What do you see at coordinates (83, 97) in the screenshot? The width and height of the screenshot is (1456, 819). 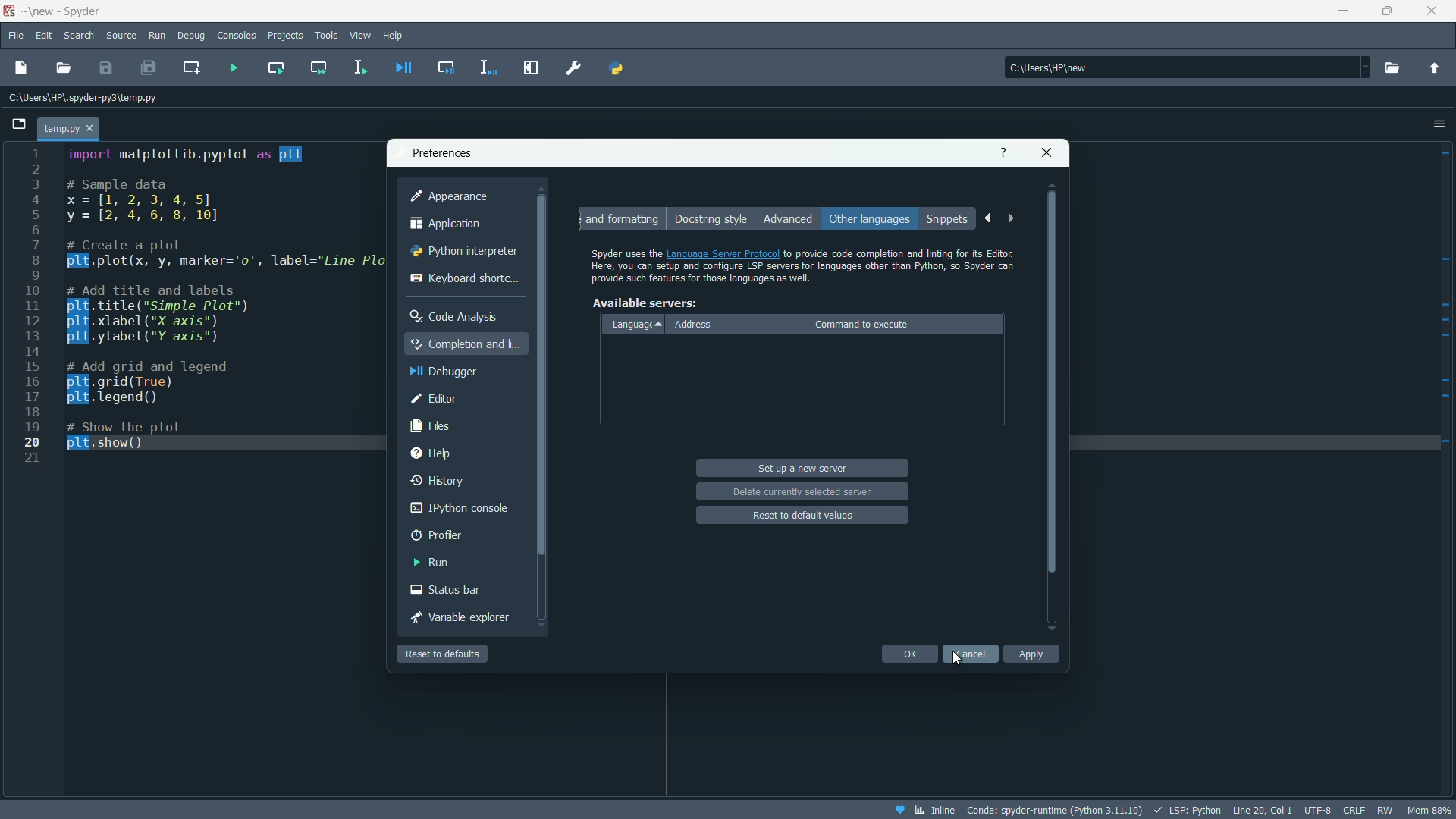 I see `file directory` at bounding box center [83, 97].